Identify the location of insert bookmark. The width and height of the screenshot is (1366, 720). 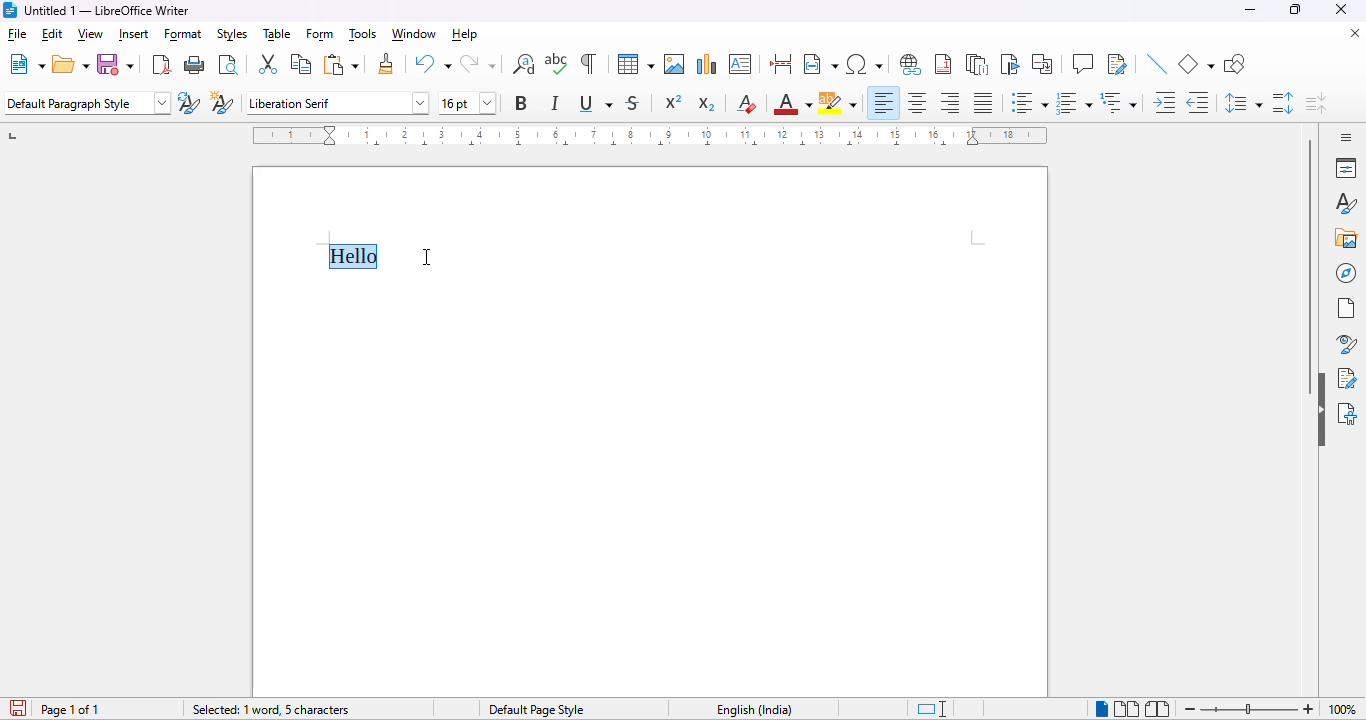
(1012, 64).